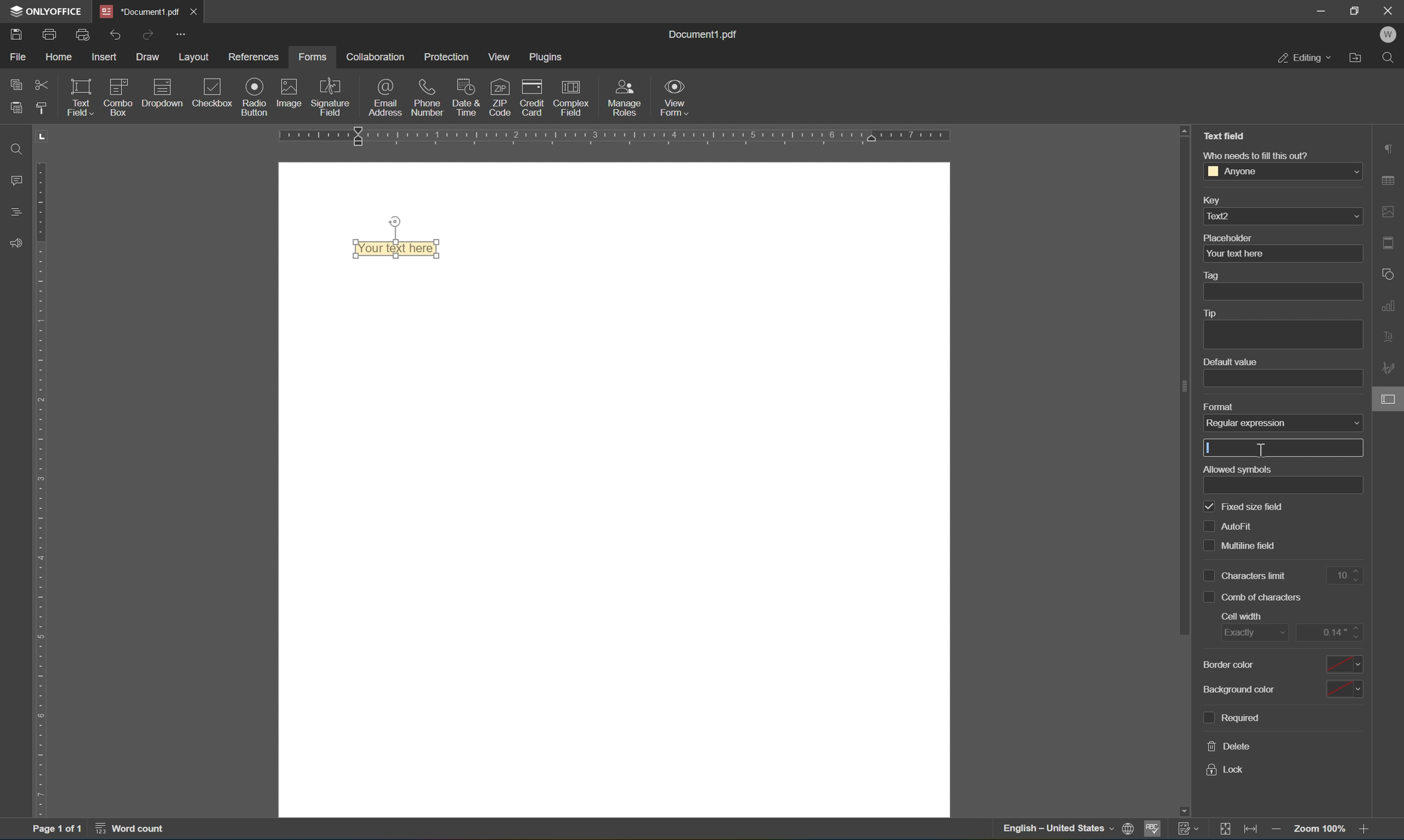  Describe the element at coordinates (1227, 770) in the screenshot. I see `lock` at that location.